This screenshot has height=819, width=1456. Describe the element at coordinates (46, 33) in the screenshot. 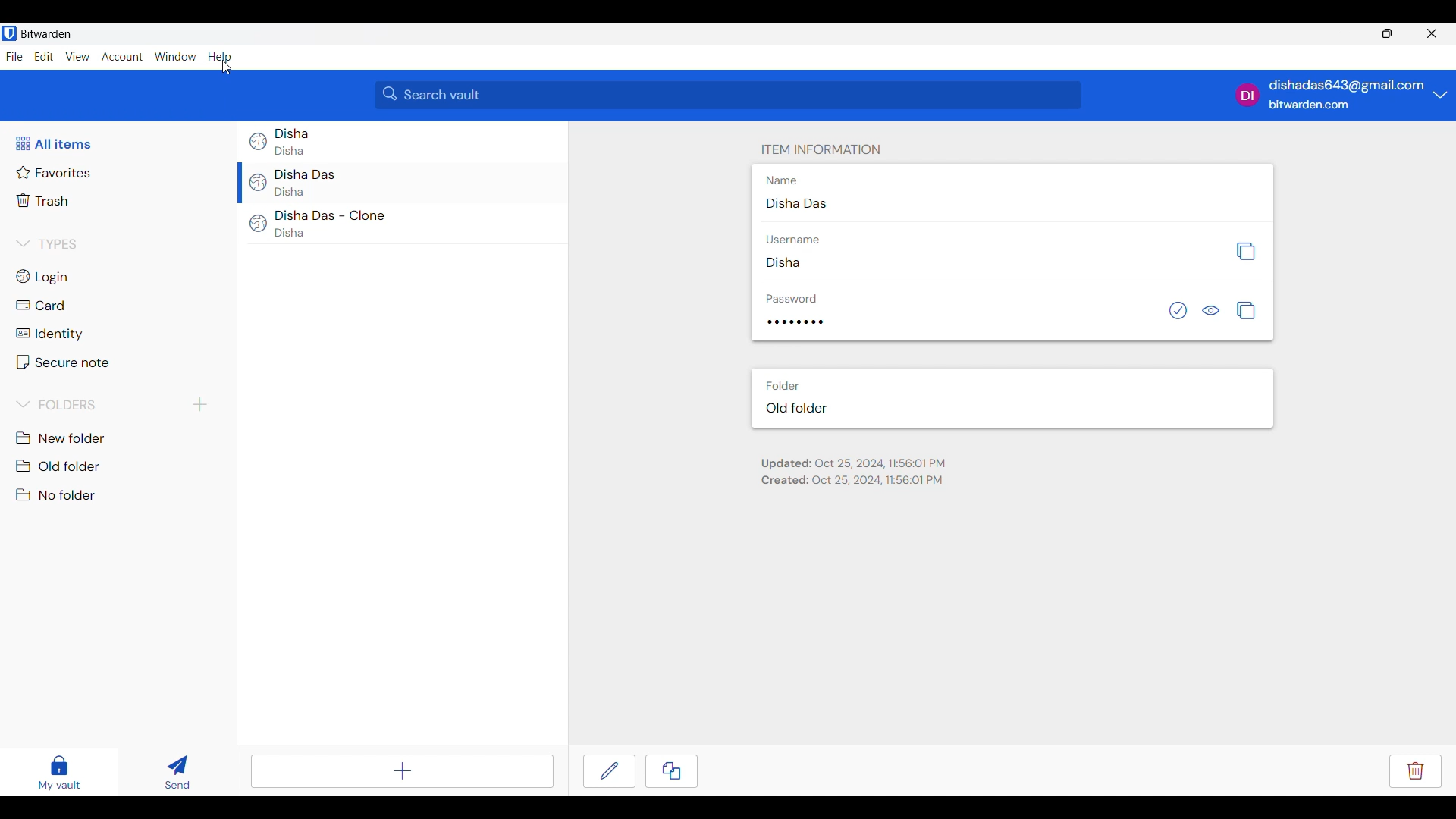

I see `Bitwarden` at that location.